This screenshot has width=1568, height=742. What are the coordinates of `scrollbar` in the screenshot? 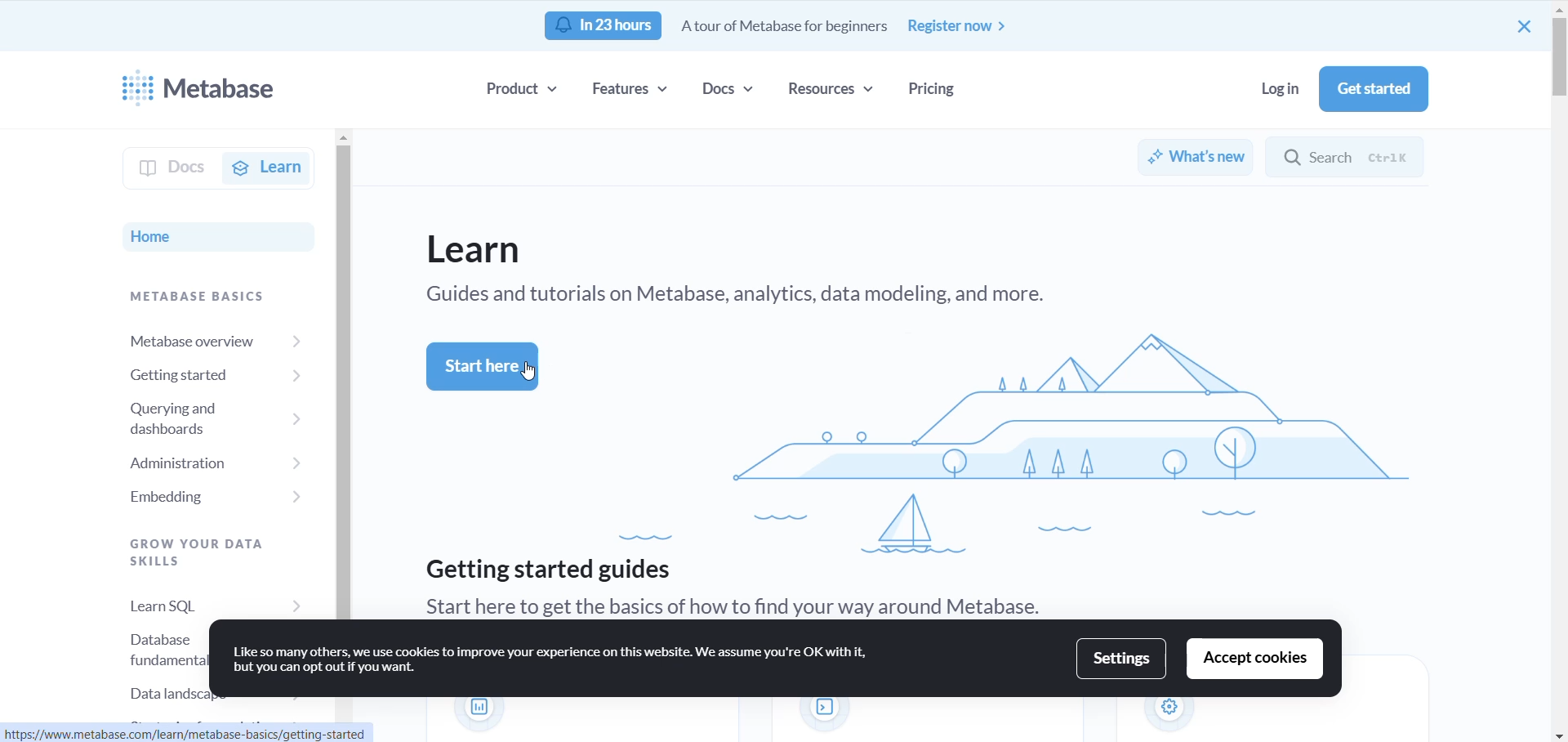 It's located at (1558, 58).